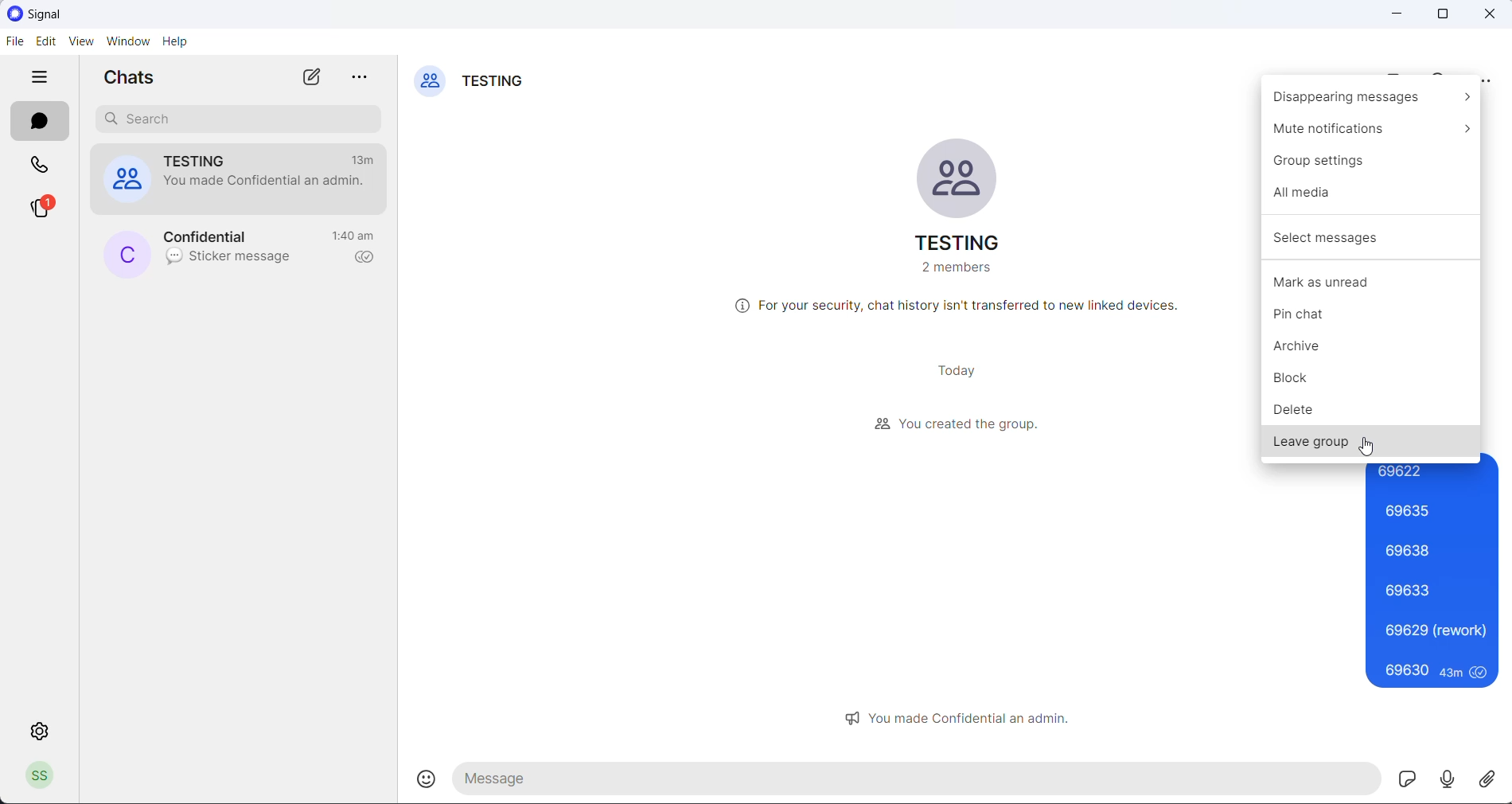  I want to click on group name, so click(207, 161).